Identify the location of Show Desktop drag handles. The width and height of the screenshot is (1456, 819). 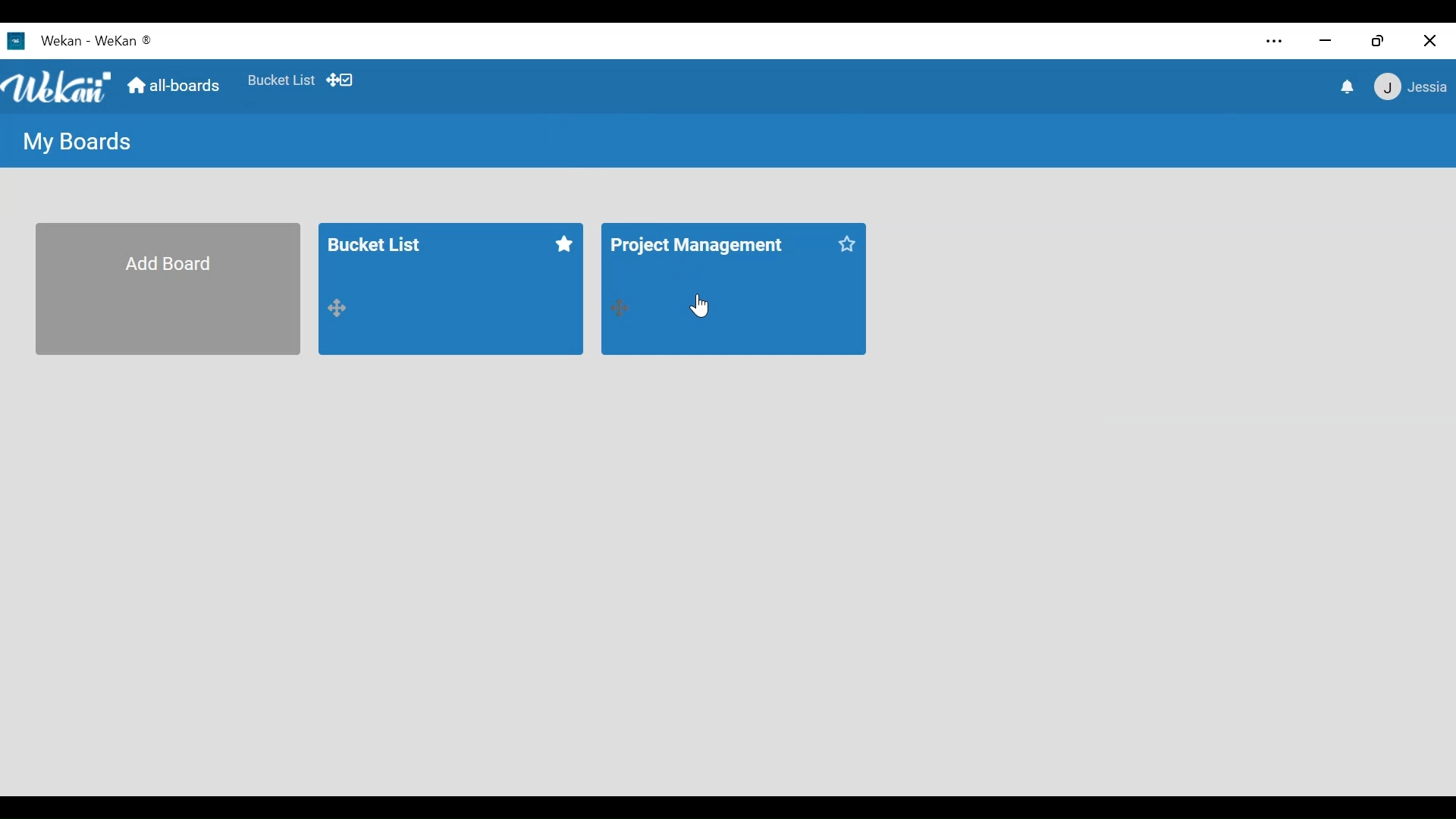
(344, 80).